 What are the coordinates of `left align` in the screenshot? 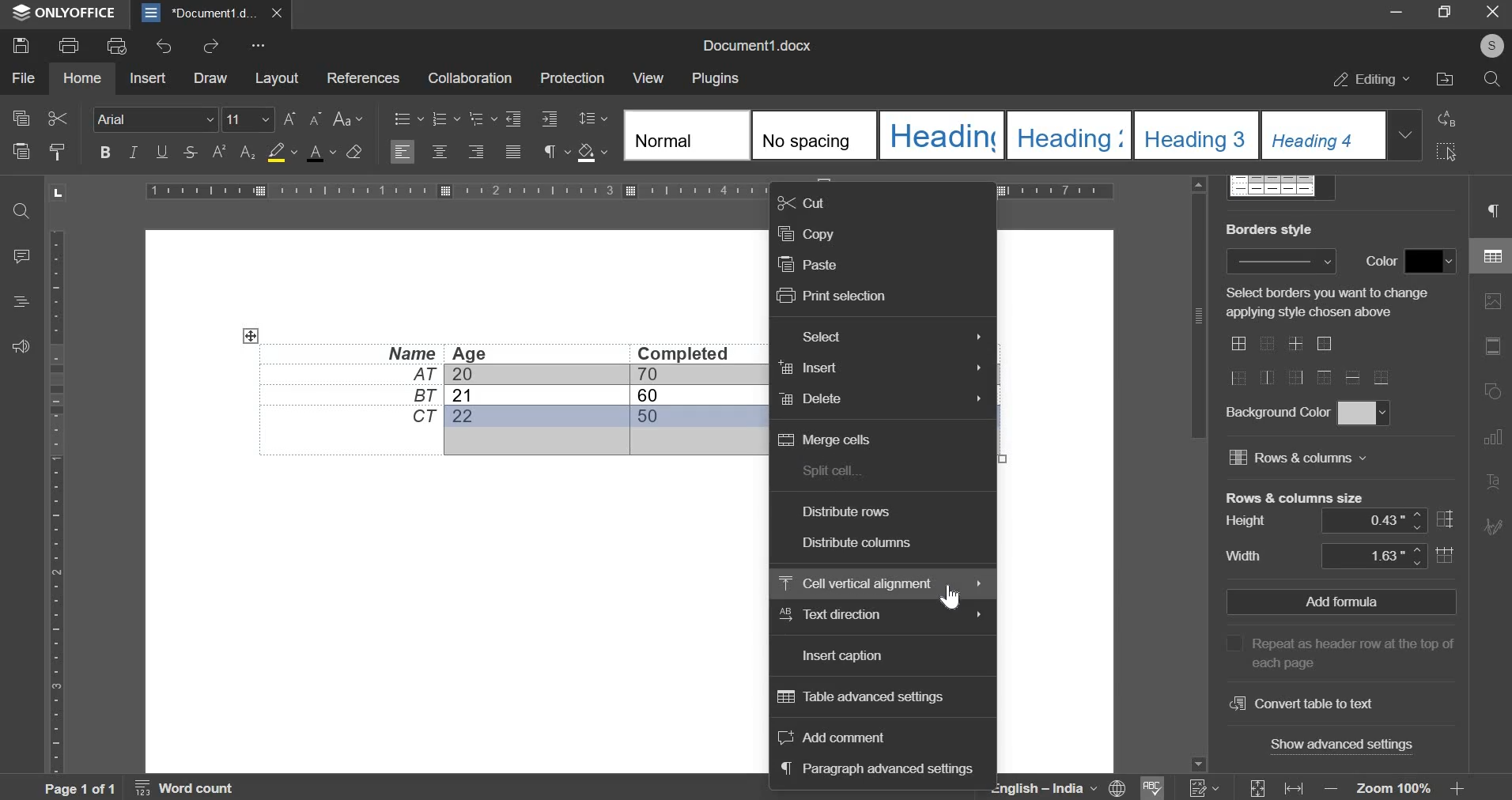 It's located at (402, 153).